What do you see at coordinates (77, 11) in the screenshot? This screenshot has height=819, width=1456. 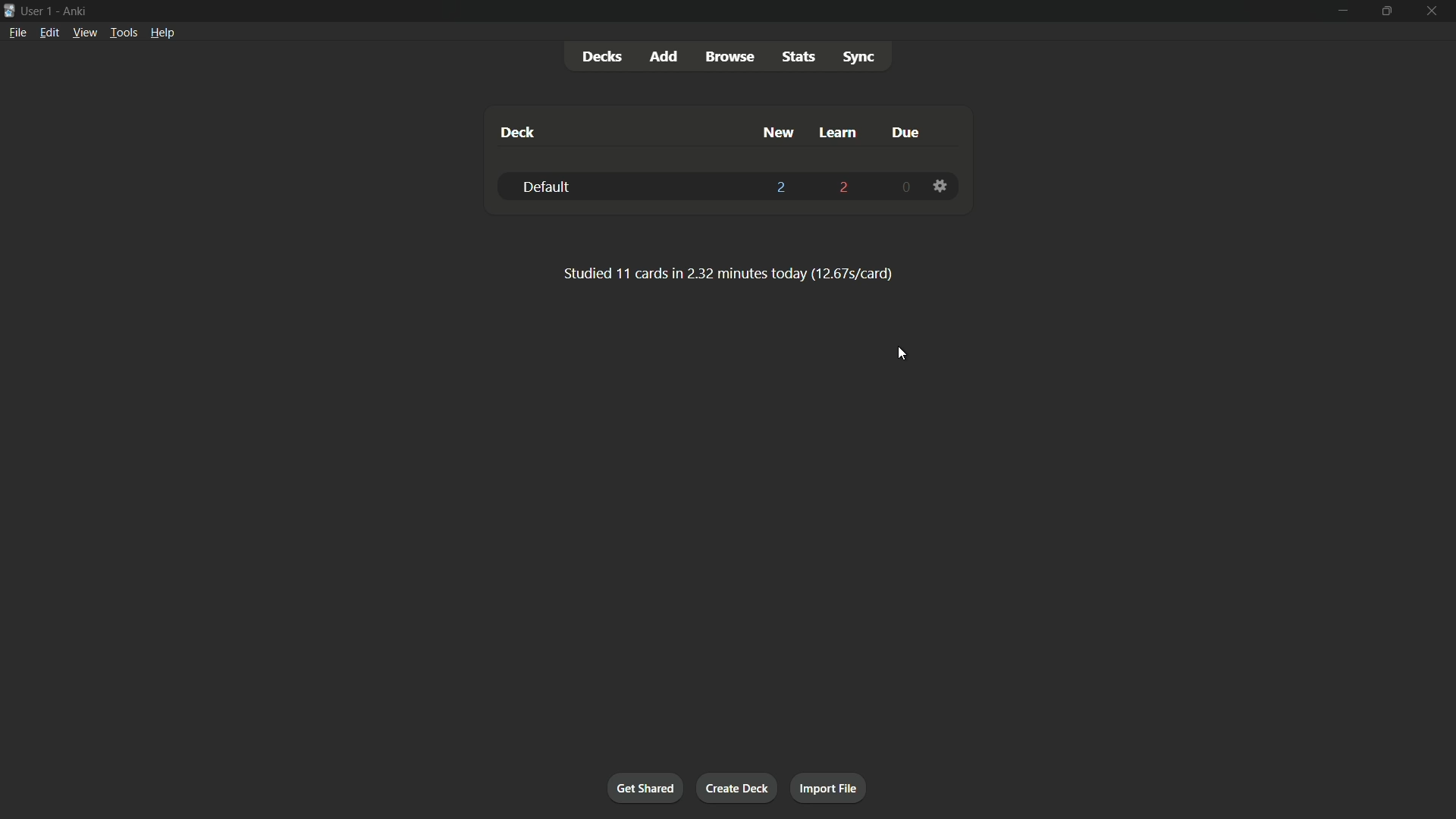 I see `app name` at bounding box center [77, 11].